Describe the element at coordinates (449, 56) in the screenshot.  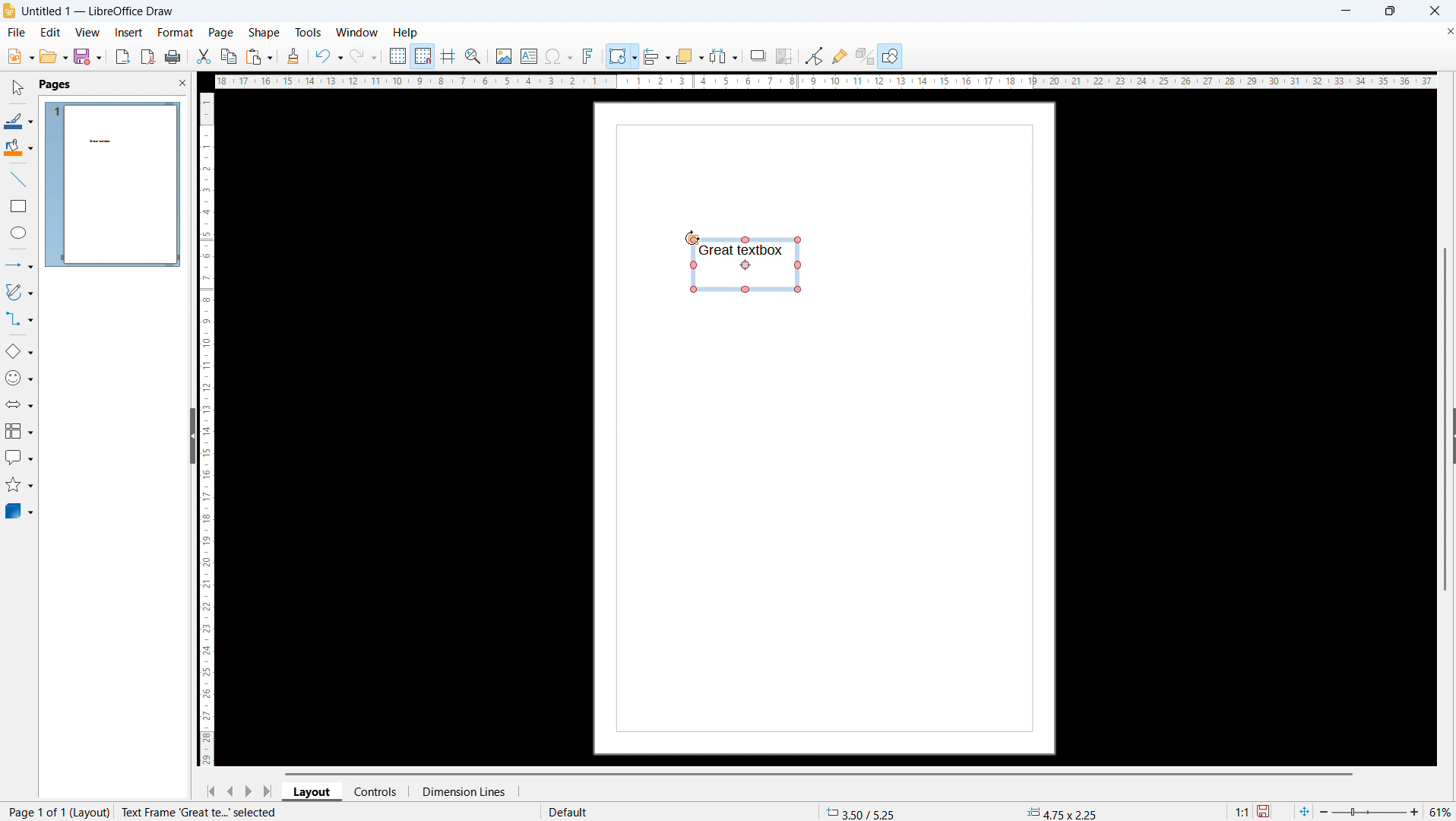
I see `guidelines while moving` at that location.